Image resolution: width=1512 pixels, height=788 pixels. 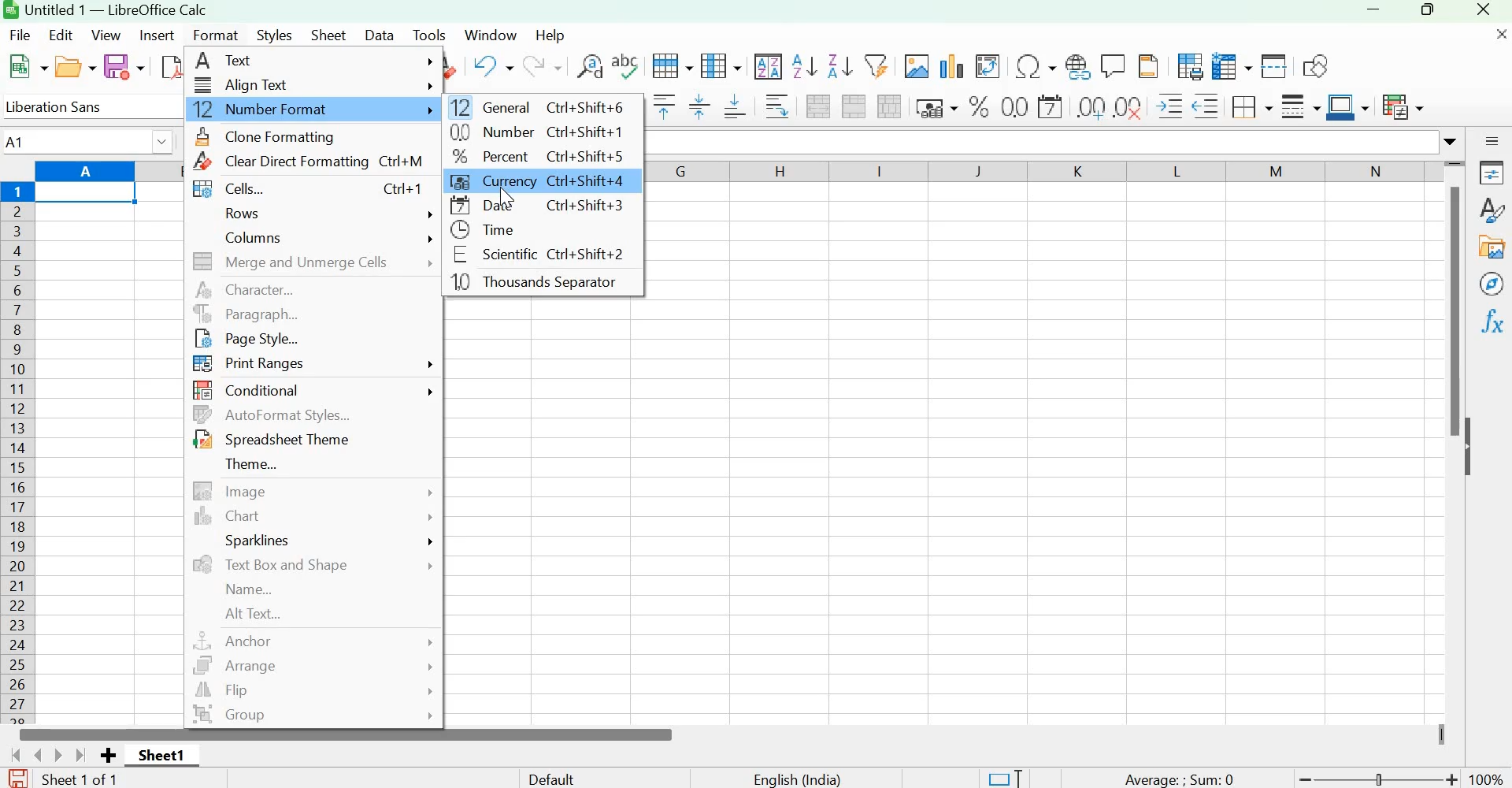 I want to click on toggle, so click(x=1383, y=775).